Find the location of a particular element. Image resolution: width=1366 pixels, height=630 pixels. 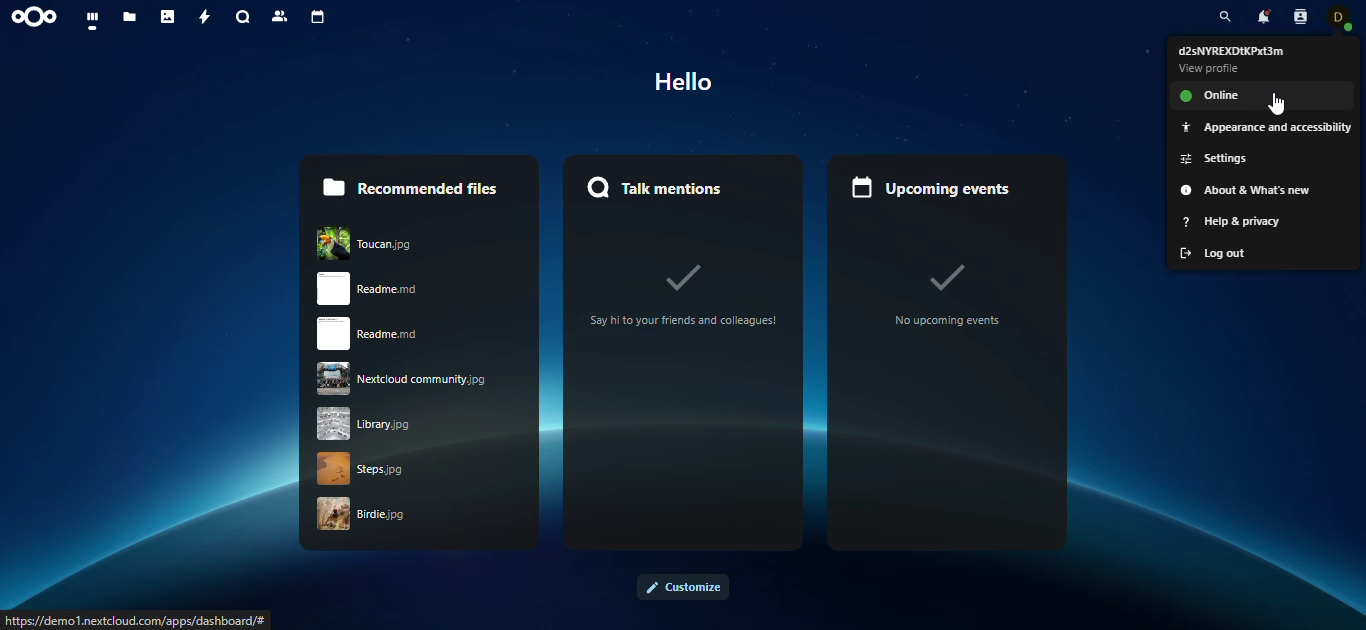

activity is located at coordinates (207, 18).